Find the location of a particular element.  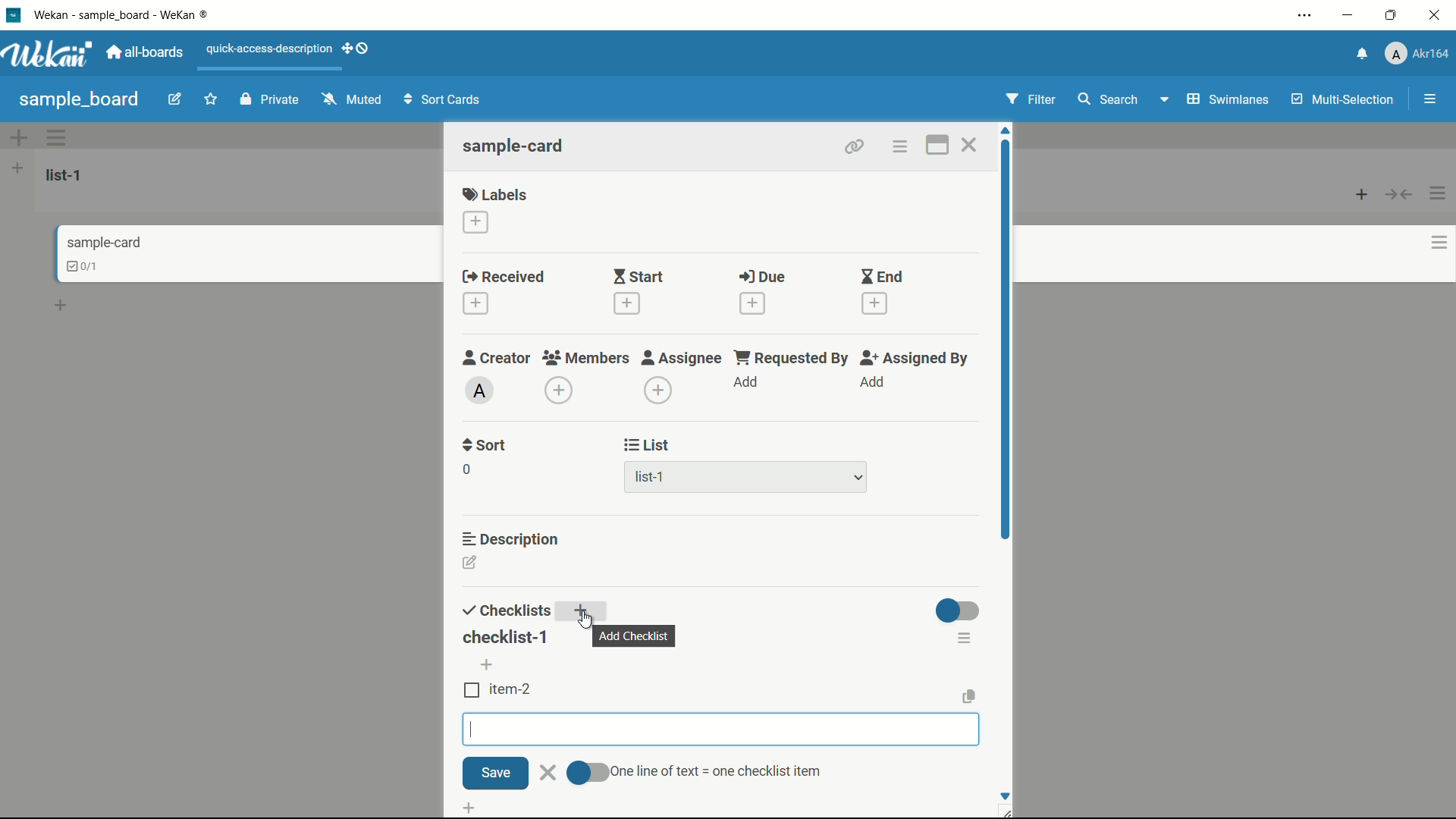

0 is located at coordinates (466, 469).